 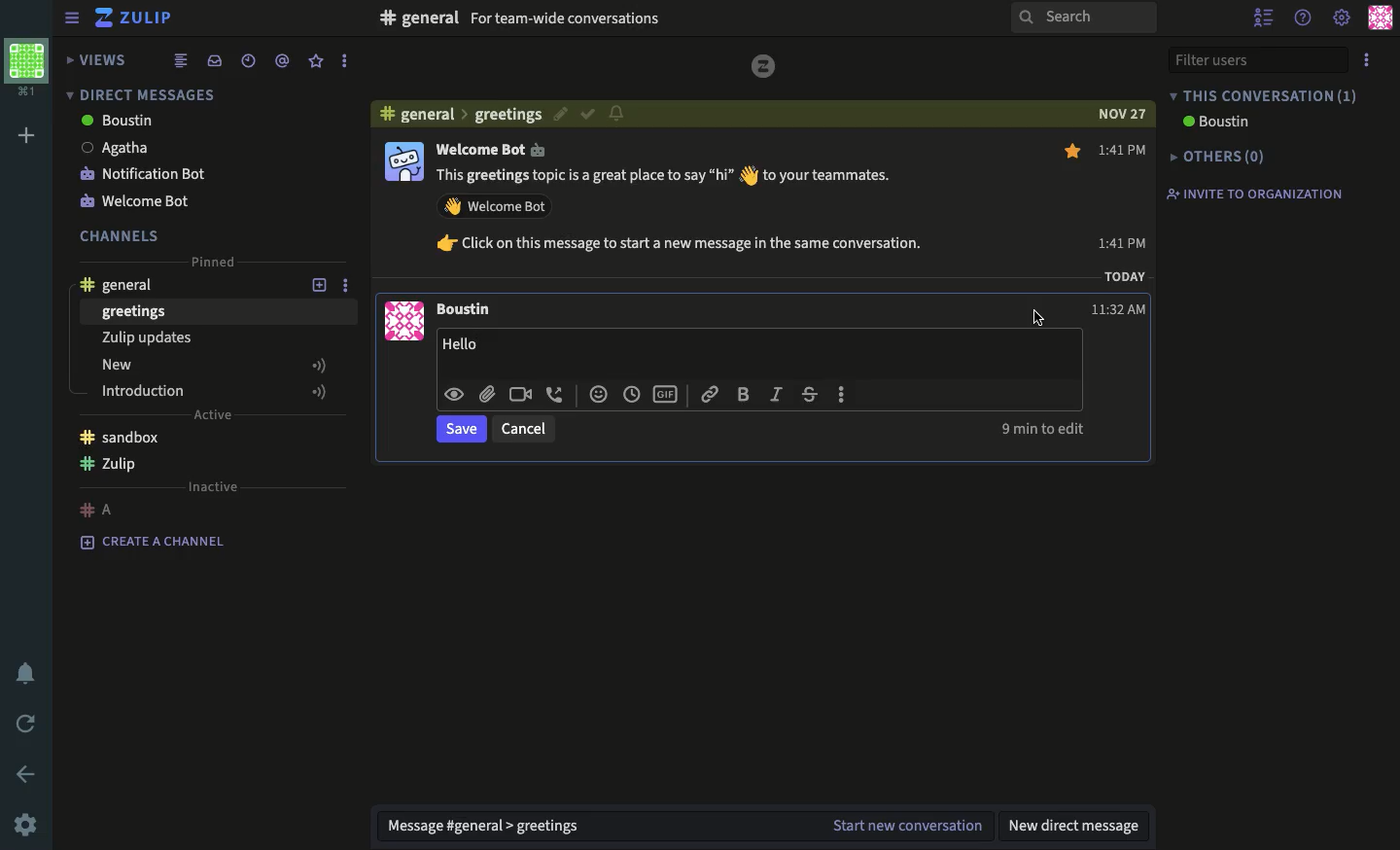 I want to click on cursor, so click(x=1033, y=321).